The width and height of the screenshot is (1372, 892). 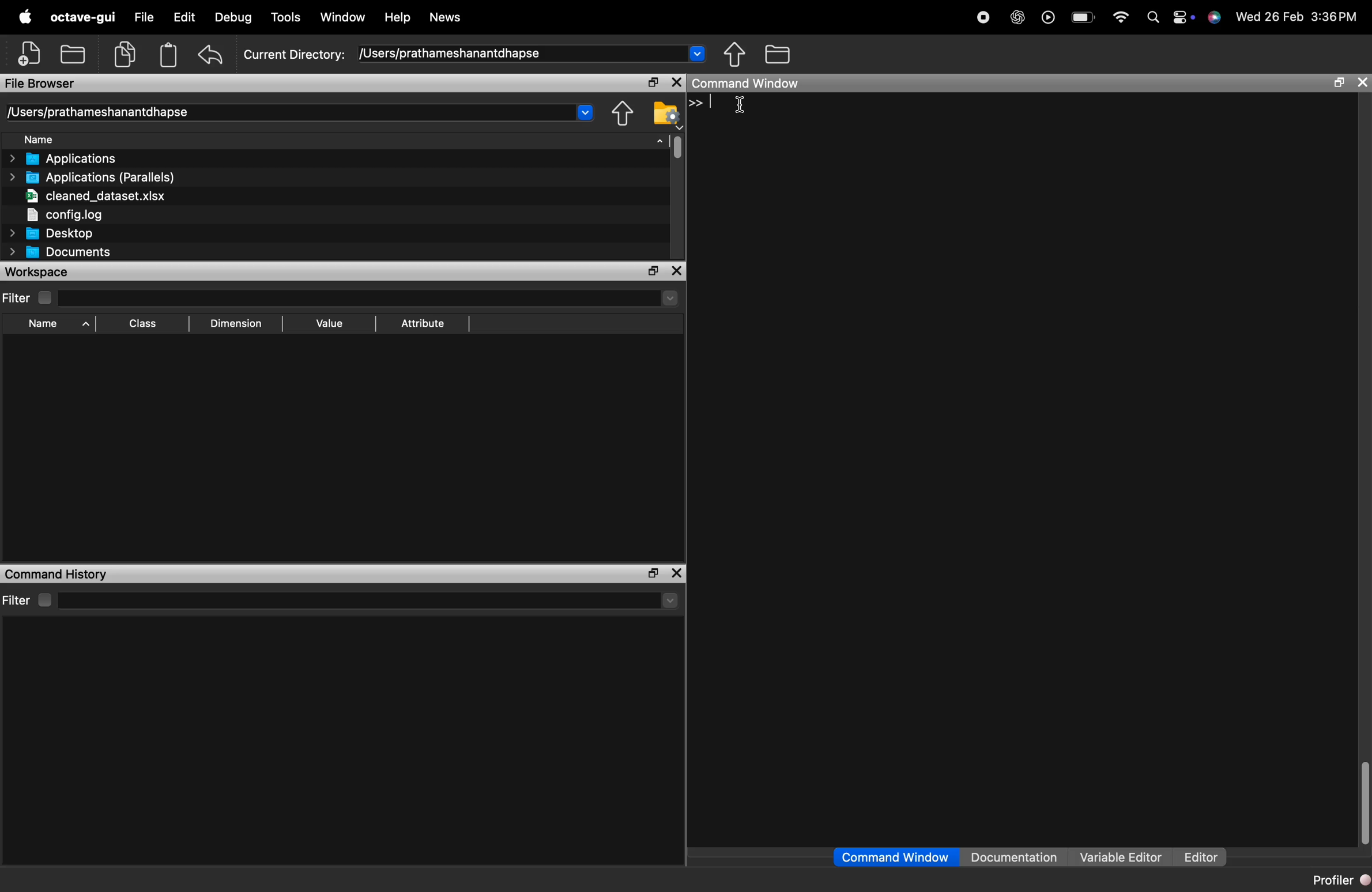 What do you see at coordinates (55, 326) in the screenshot?
I see `Name ` at bounding box center [55, 326].